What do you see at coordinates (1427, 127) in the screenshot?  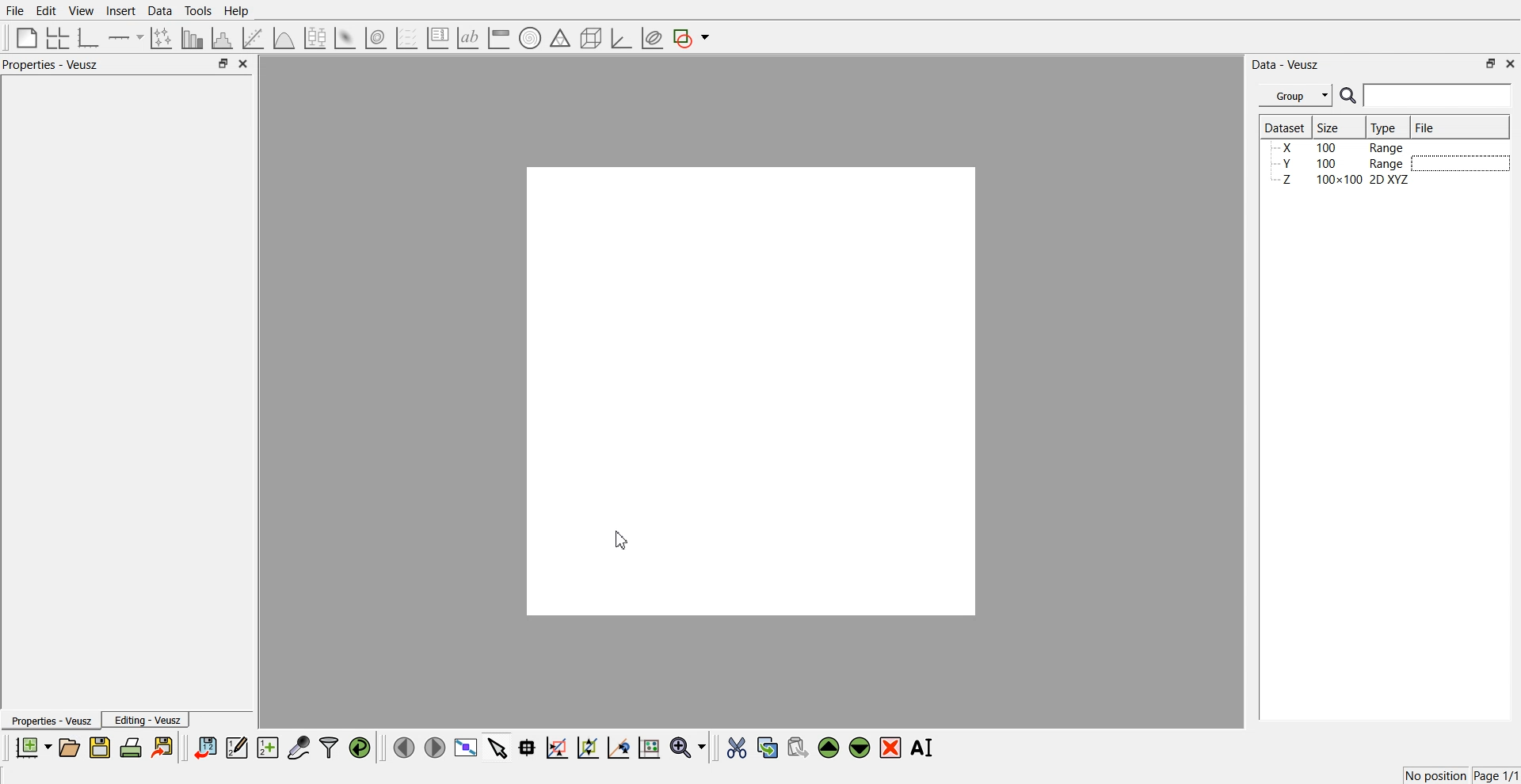 I see `File` at bounding box center [1427, 127].